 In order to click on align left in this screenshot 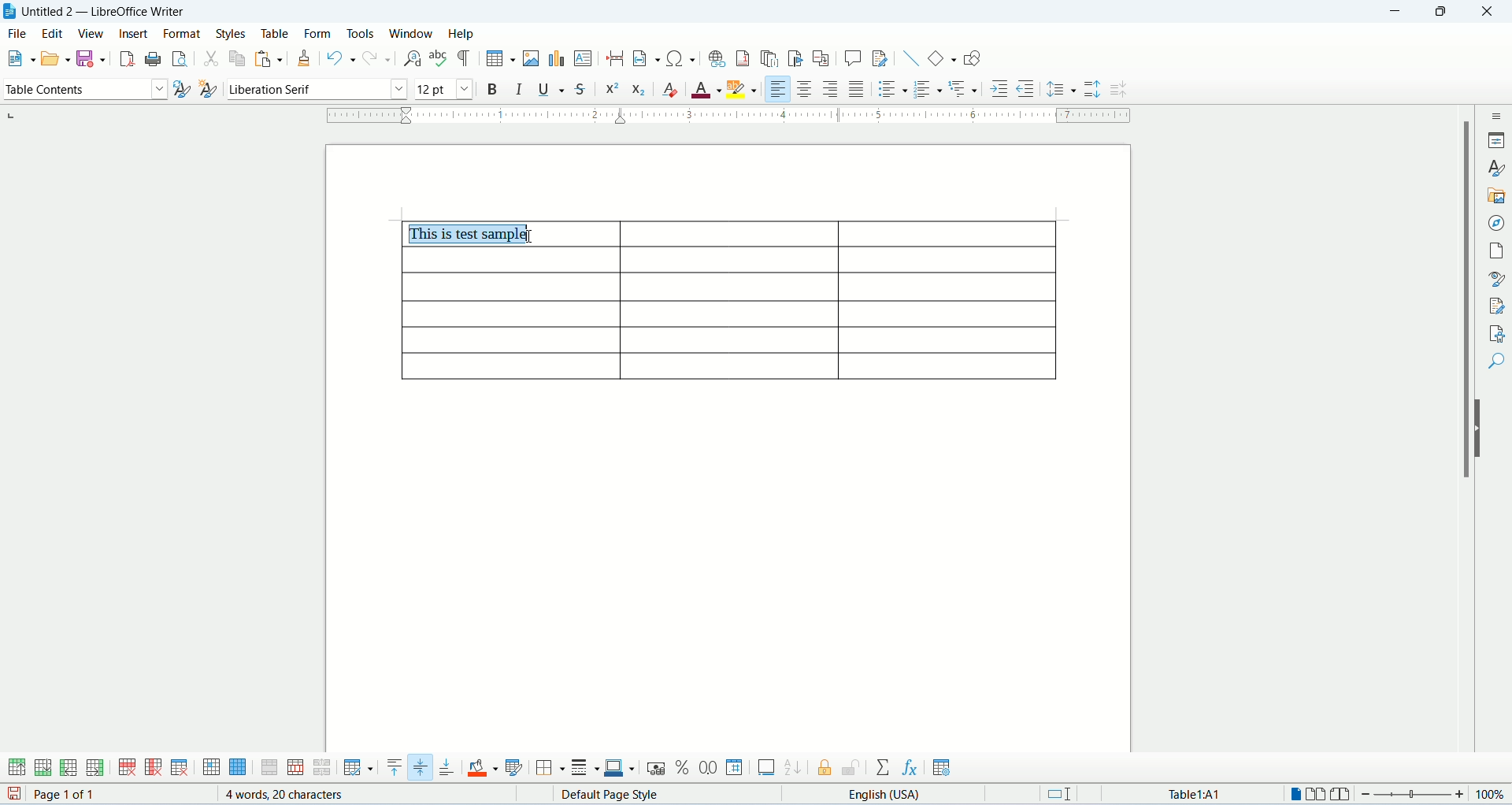, I will do `click(780, 89)`.